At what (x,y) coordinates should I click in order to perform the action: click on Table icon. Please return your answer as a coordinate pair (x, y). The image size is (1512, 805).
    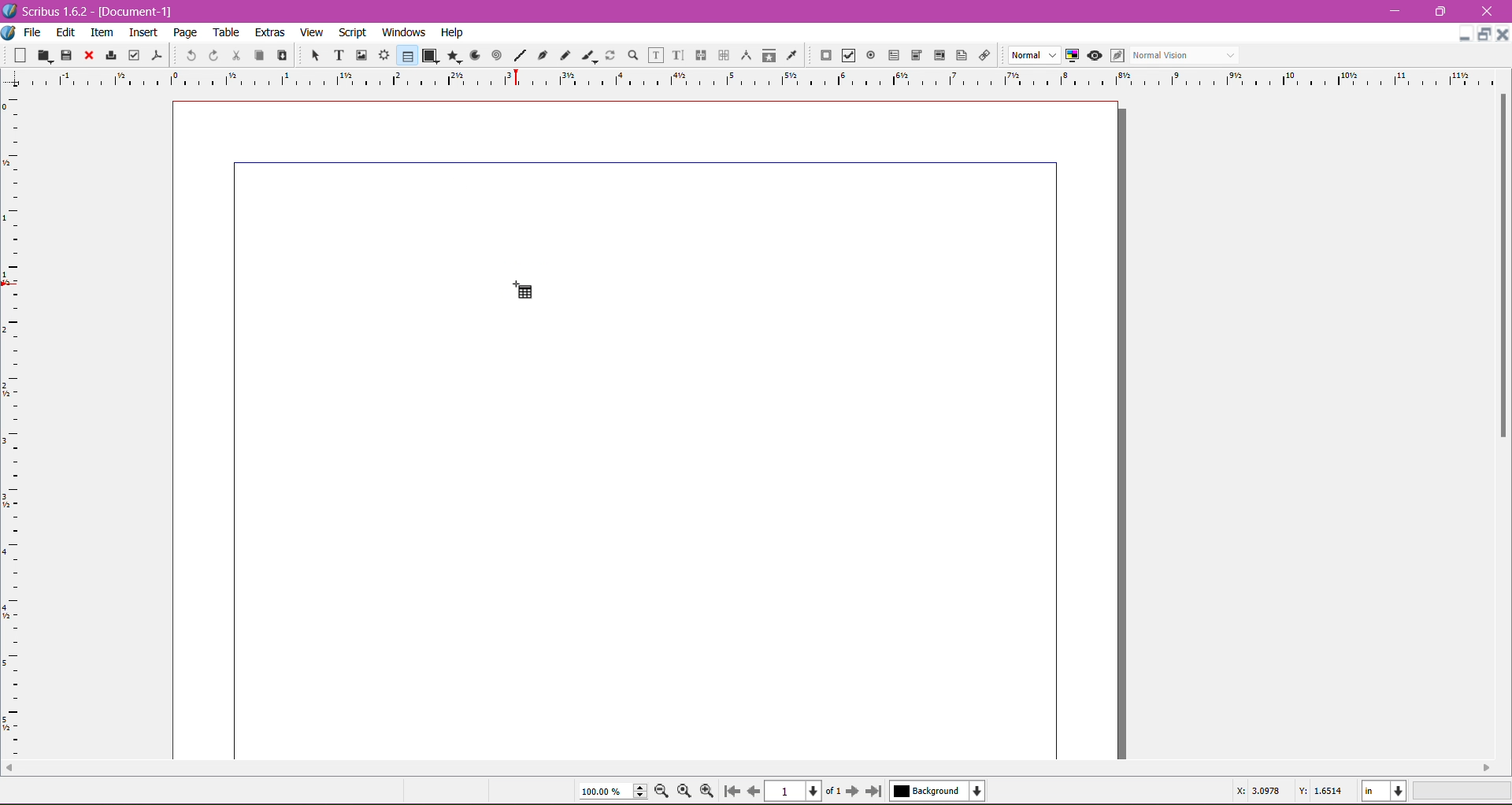
    Looking at the image, I should click on (524, 289).